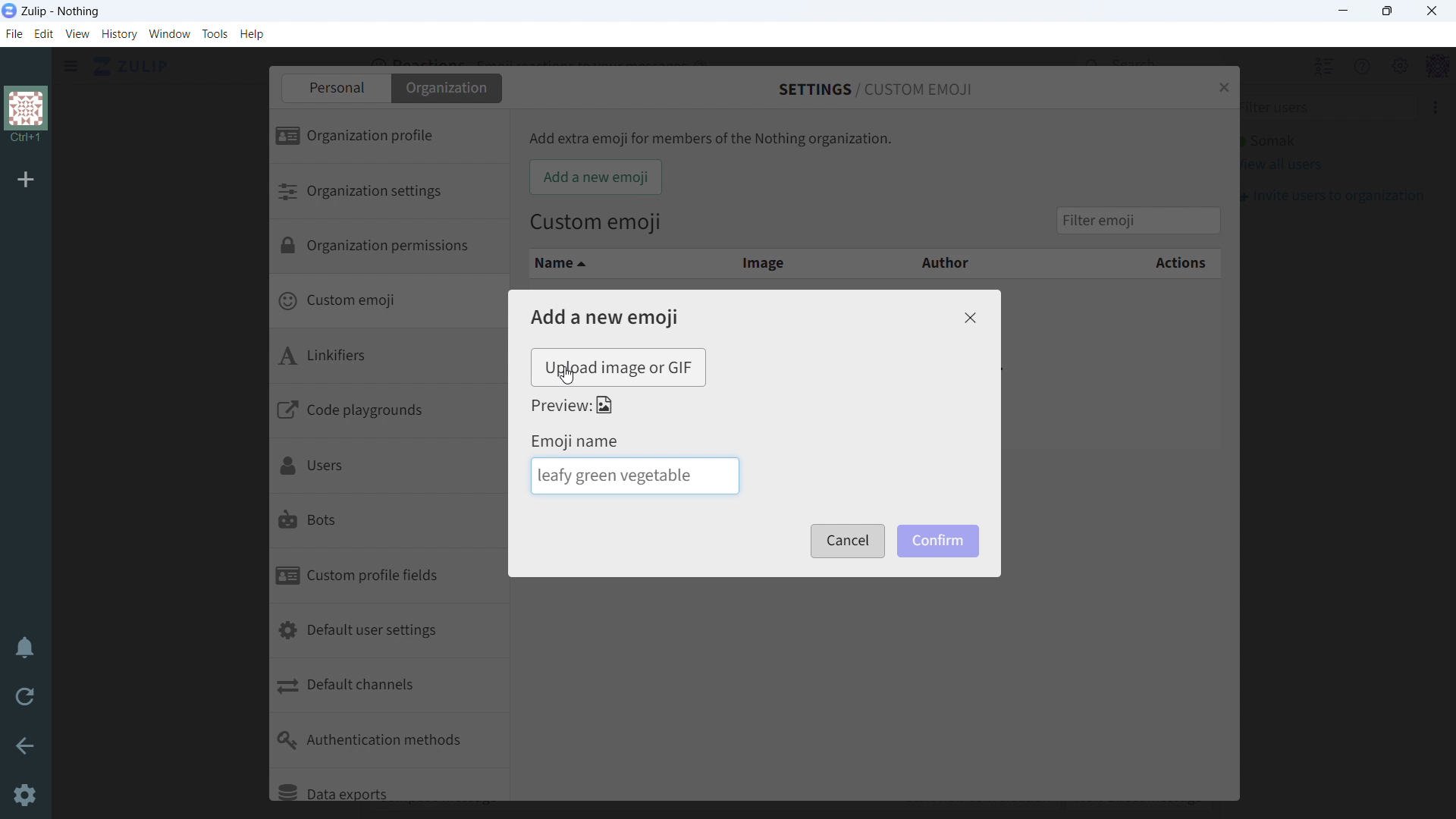 This screenshot has width=1456, height=819. What do you see at coordinates (390, 632) in the screenshot?
I see `default user settings` at bounding box center [390, 632].